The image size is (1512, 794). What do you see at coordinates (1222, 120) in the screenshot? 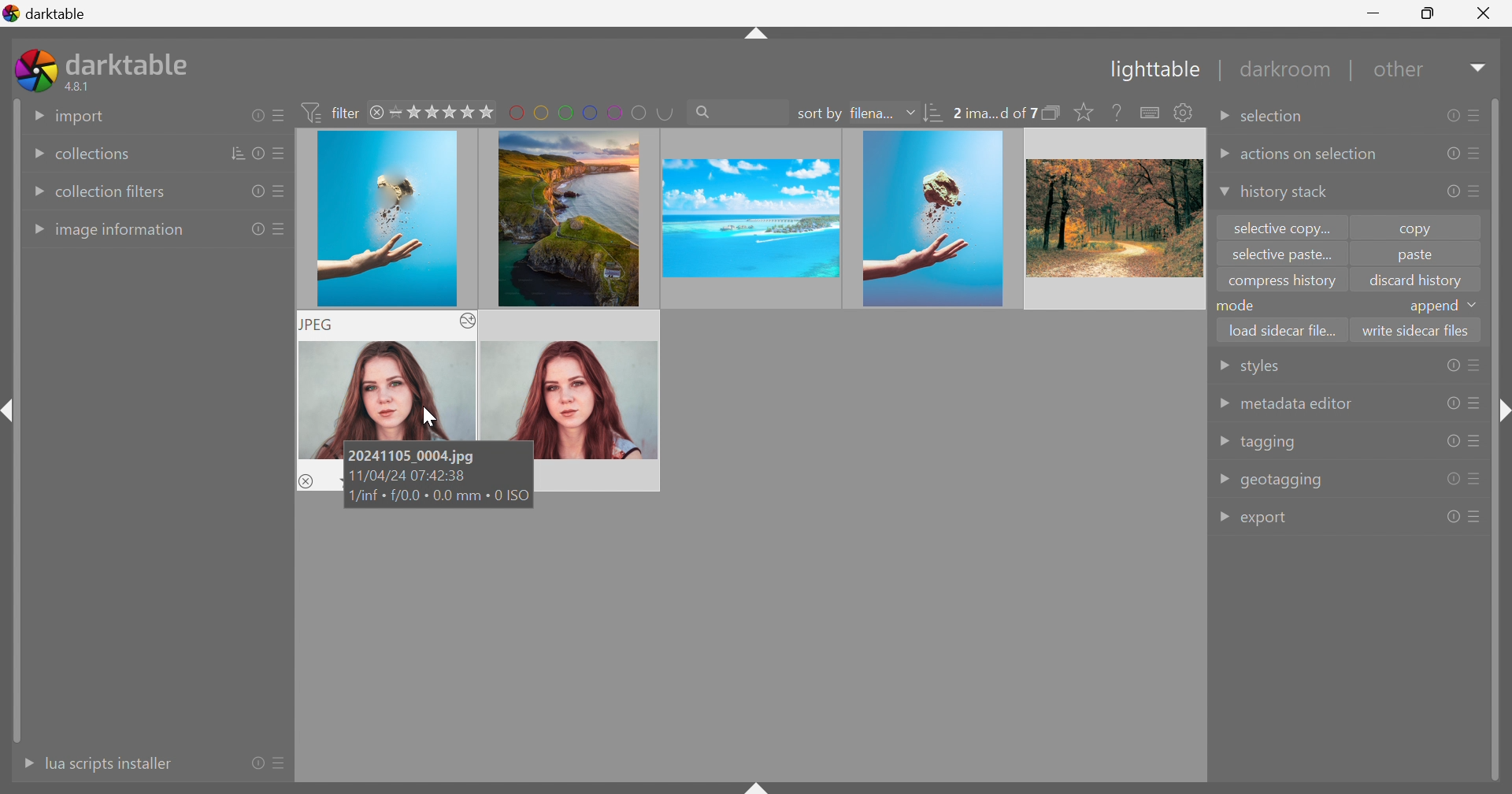
I see `Drop Down` at bounding box center [1222, 120].